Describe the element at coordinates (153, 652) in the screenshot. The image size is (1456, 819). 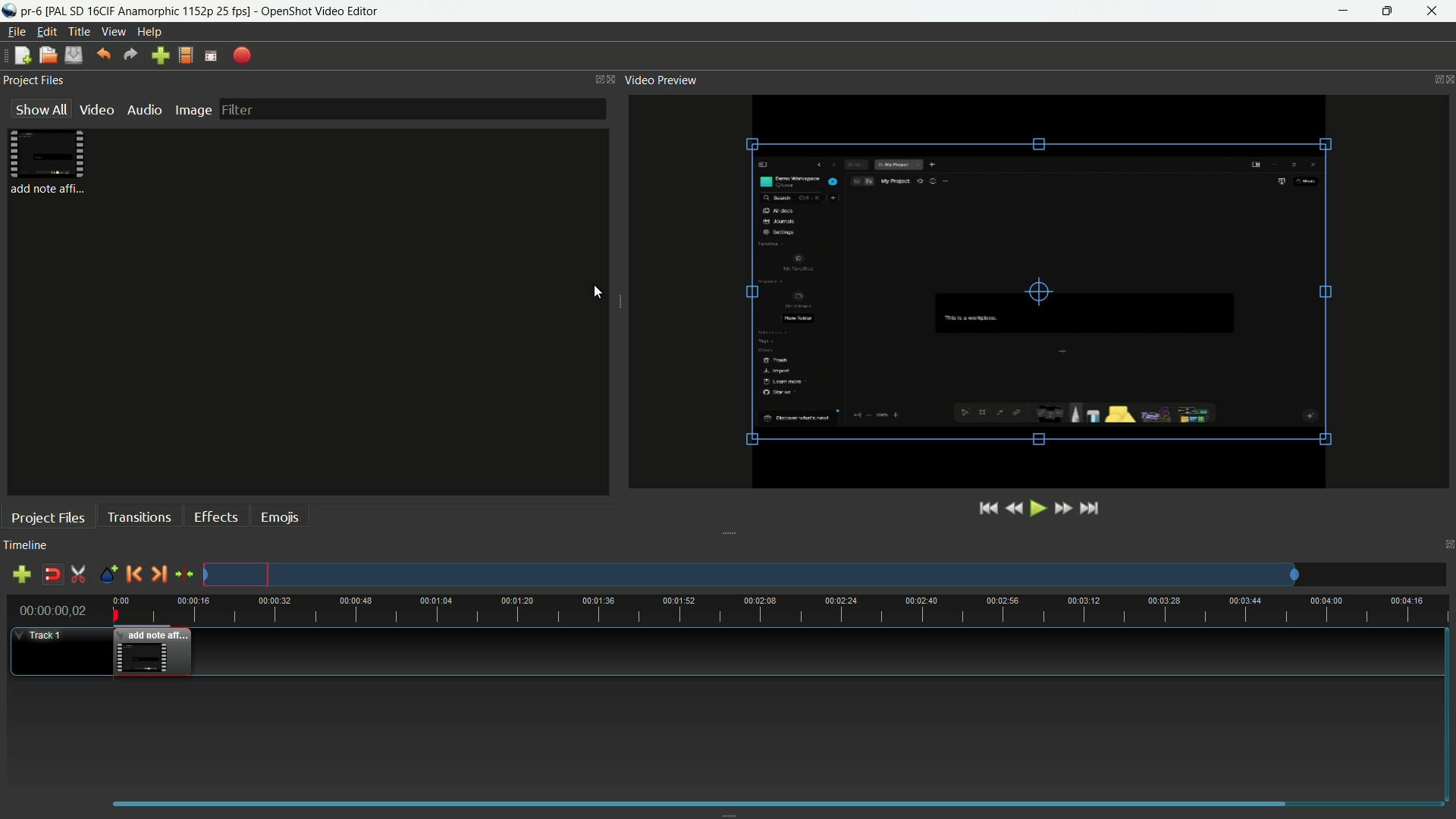
I see `video in timeline` at that location.